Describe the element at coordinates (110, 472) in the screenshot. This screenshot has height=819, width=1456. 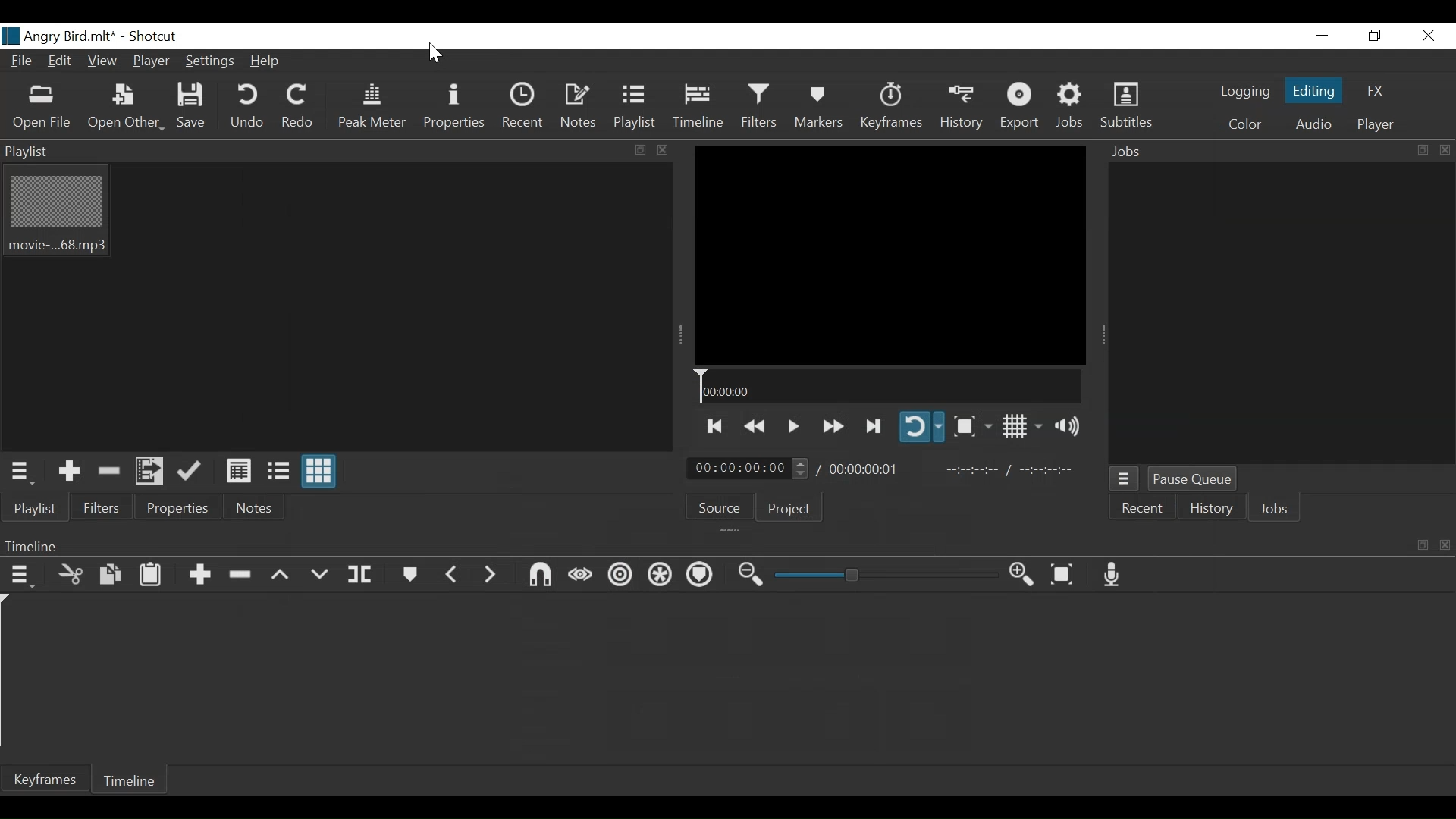
I see `Remove Cut` at that location.